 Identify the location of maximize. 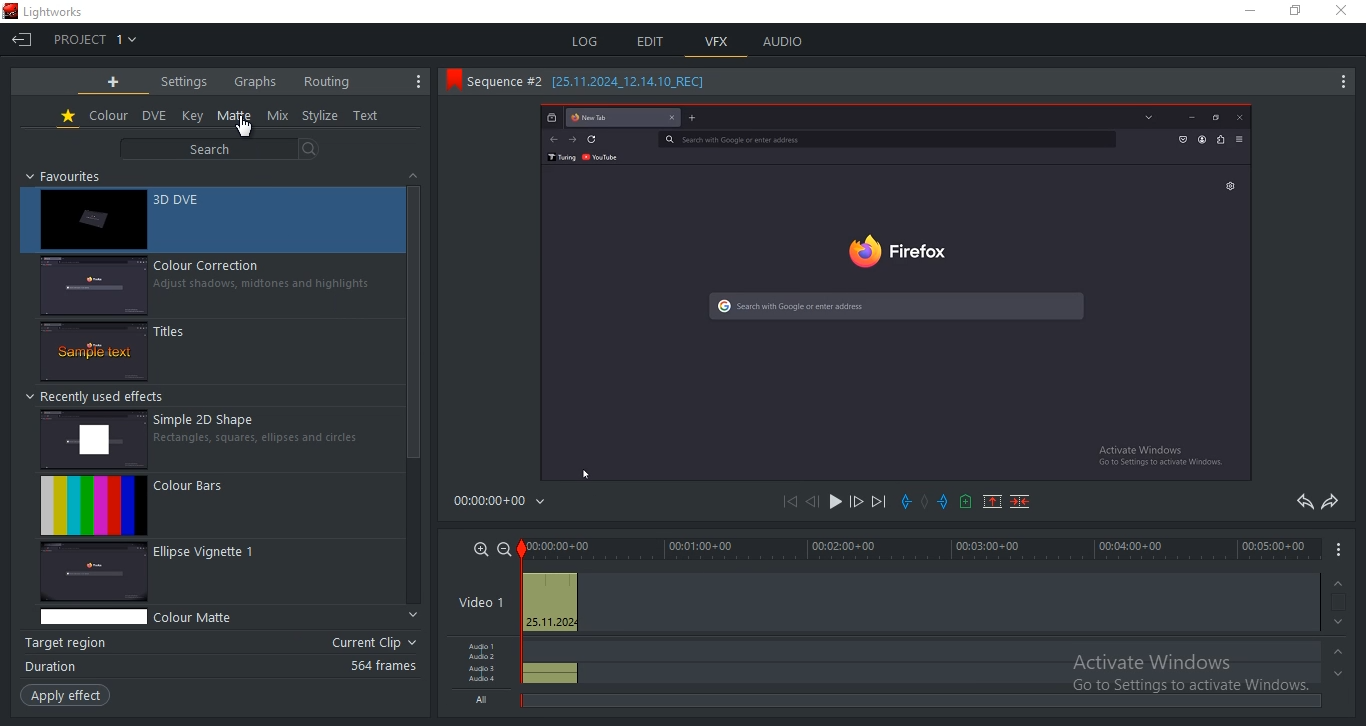
(1295, 13).